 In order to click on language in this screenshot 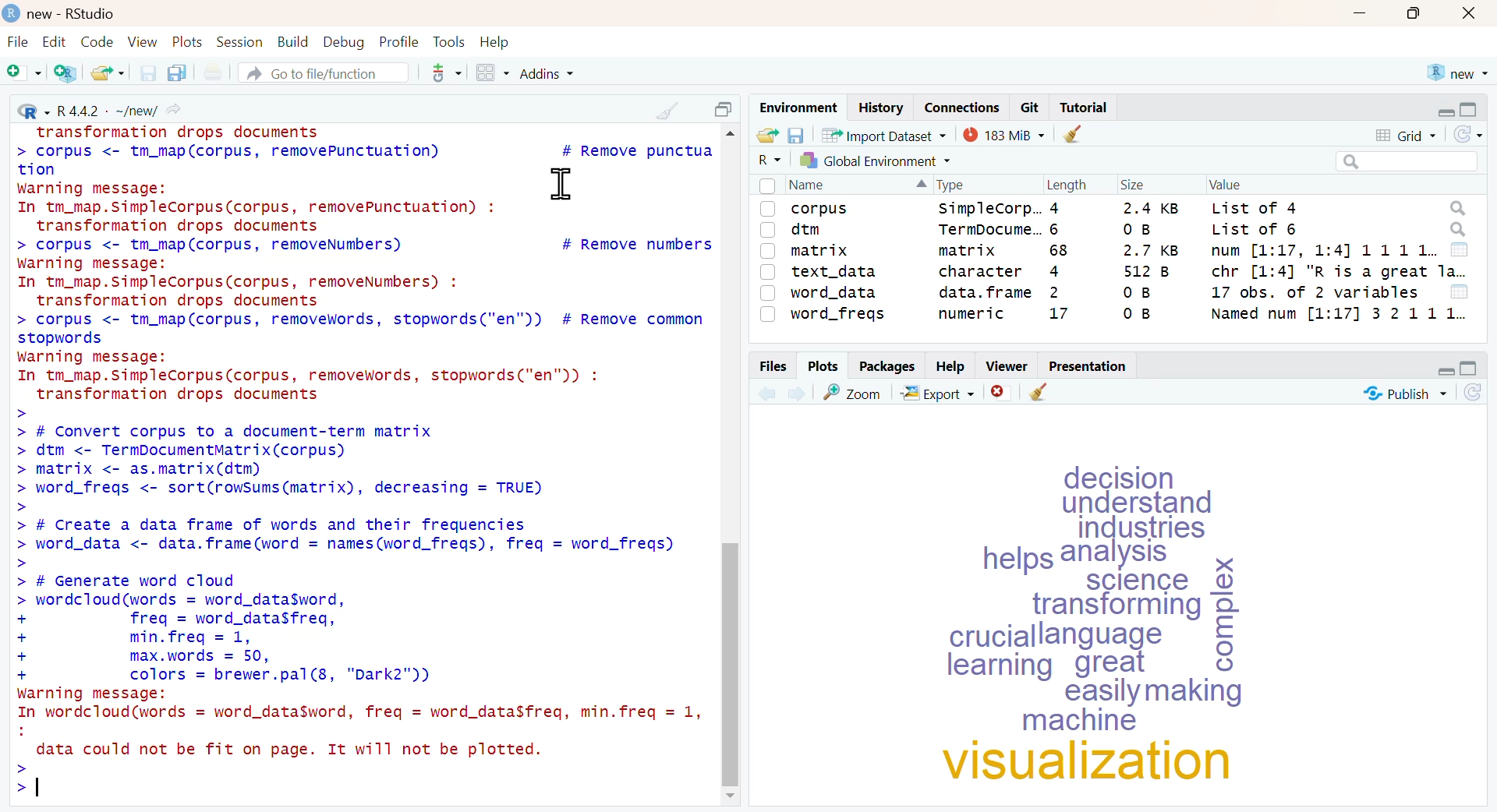, I will do `click(1101, 637)`.